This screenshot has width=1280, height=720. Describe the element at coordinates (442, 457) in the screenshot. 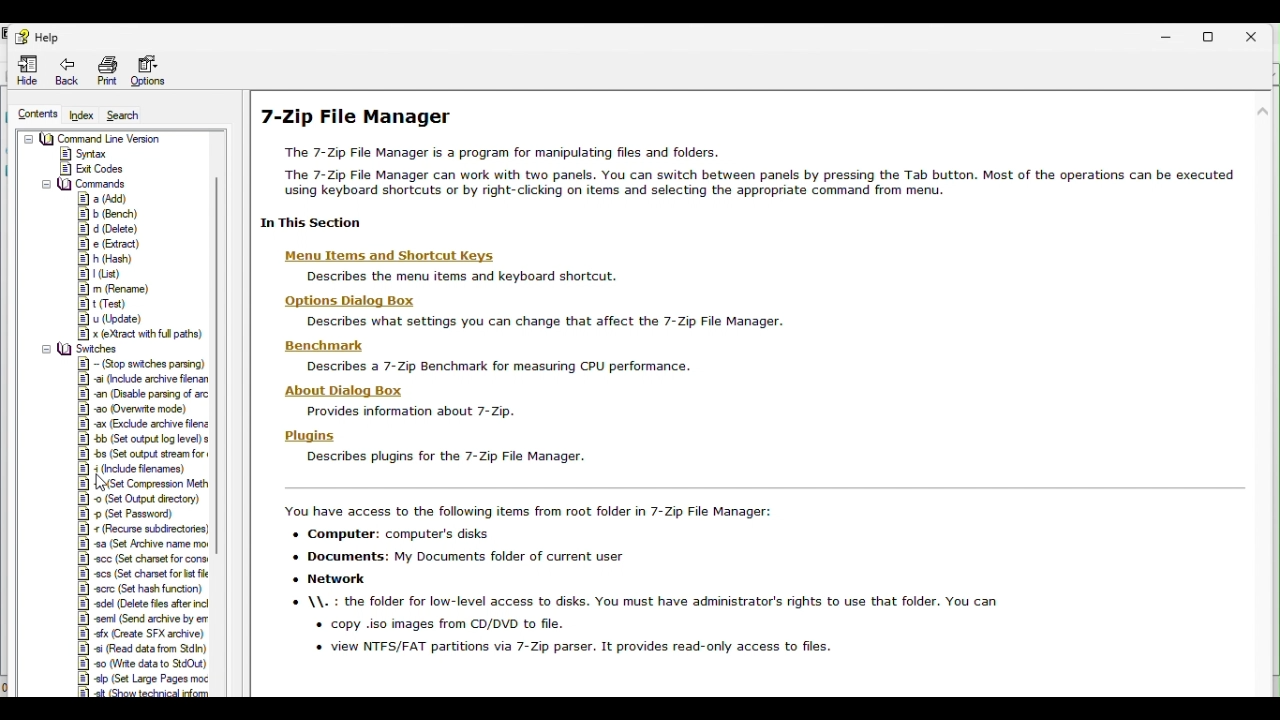

I see `description text` at that location.